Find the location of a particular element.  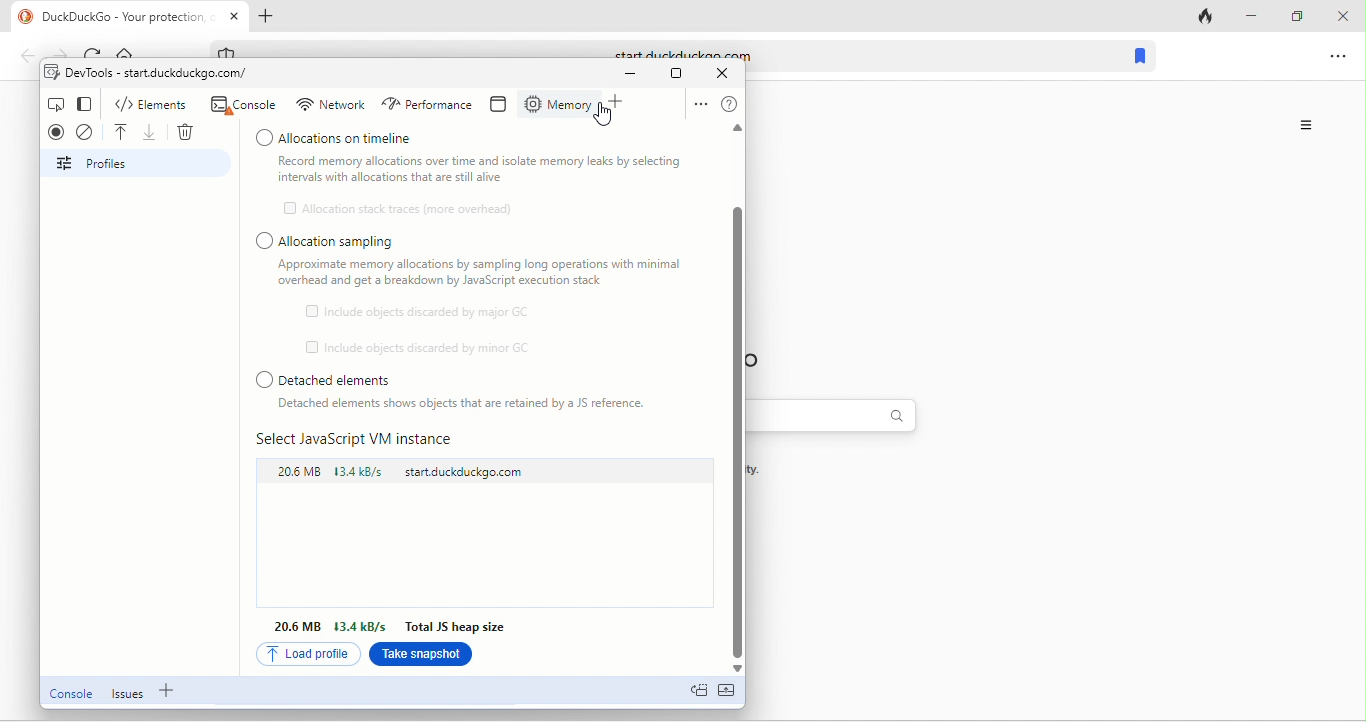

doc quick view is located at coordinates (700, 693).